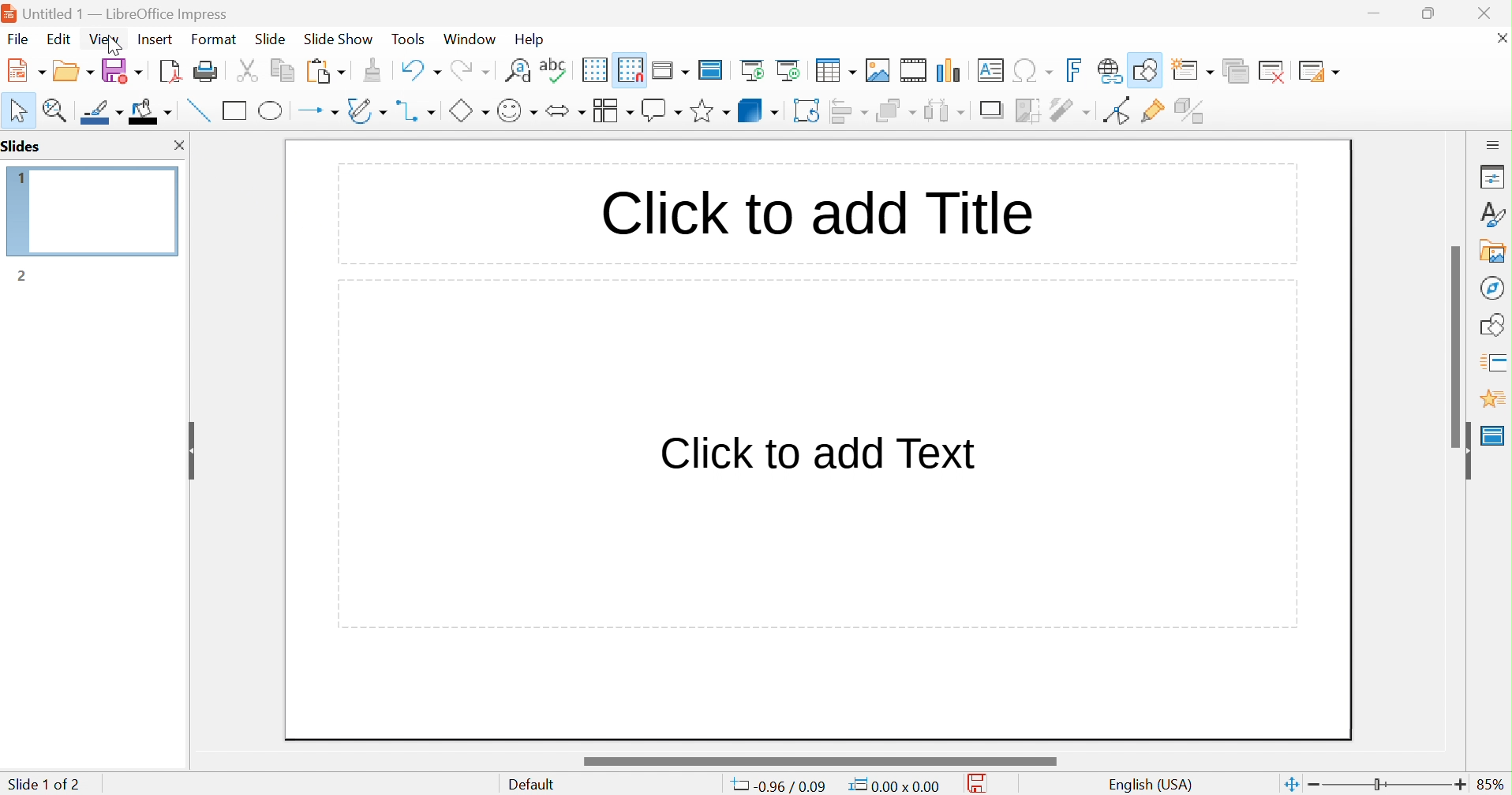 The height and width of the screenshot is (795, 1512). Describe the element at coordinates (205, 70) in the screenshot. I see `print` at that location.